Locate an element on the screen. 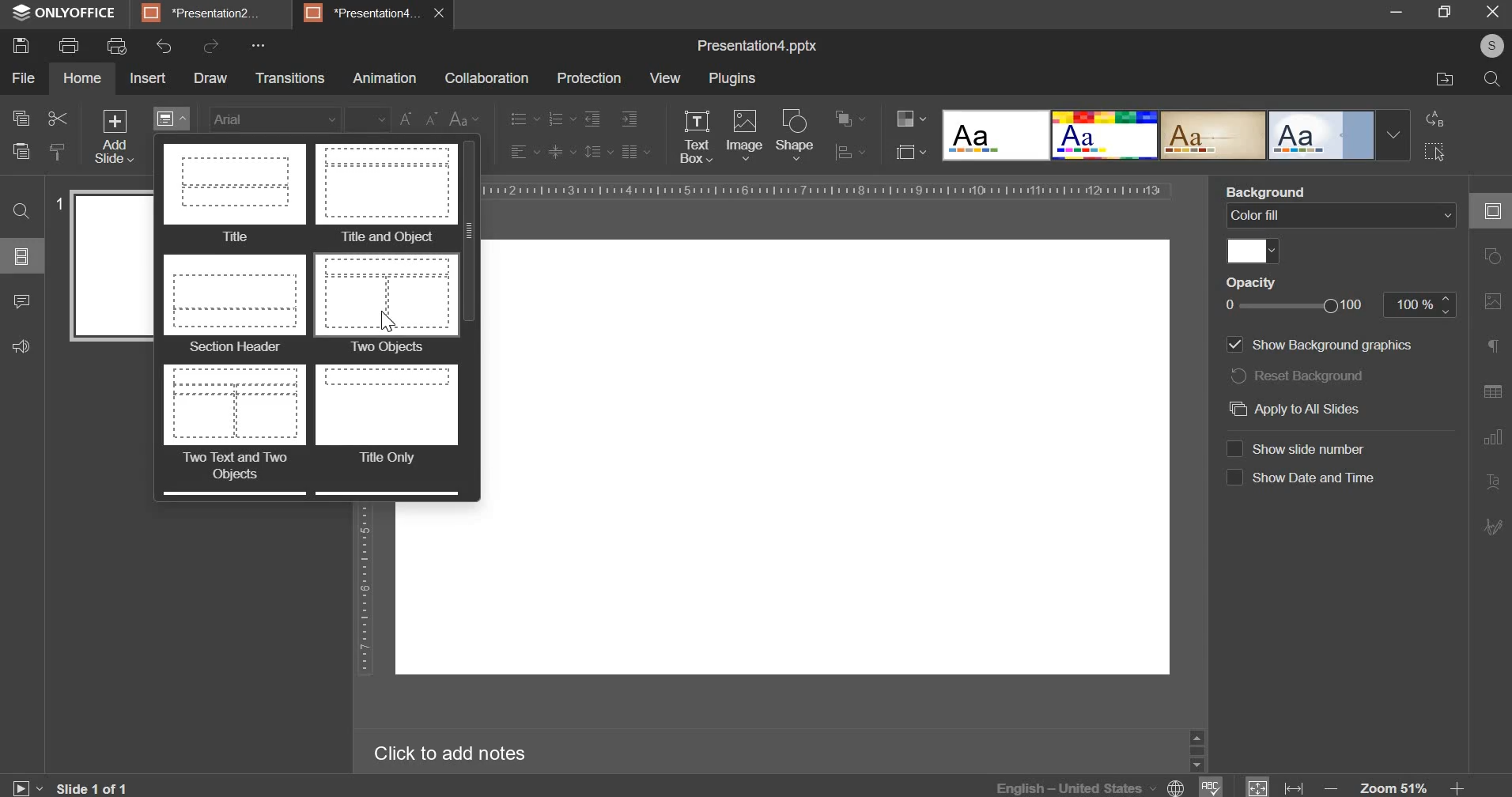 The height and width of the screenshot is (797, 1512). two text & two objects is located at coordinates (236, 421).